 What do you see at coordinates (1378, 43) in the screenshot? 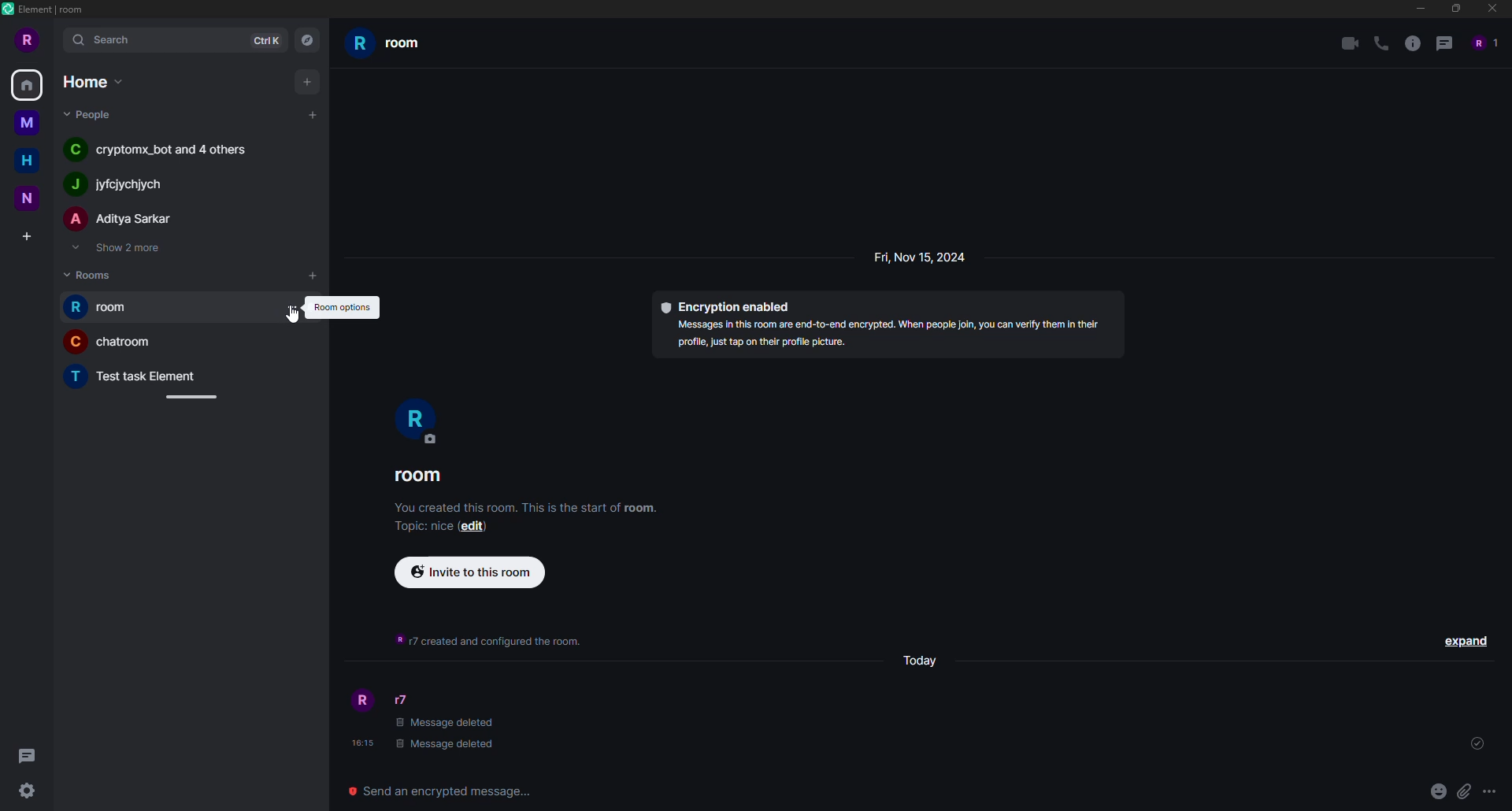
I see `voice call` at bounding box center [1378, 43].